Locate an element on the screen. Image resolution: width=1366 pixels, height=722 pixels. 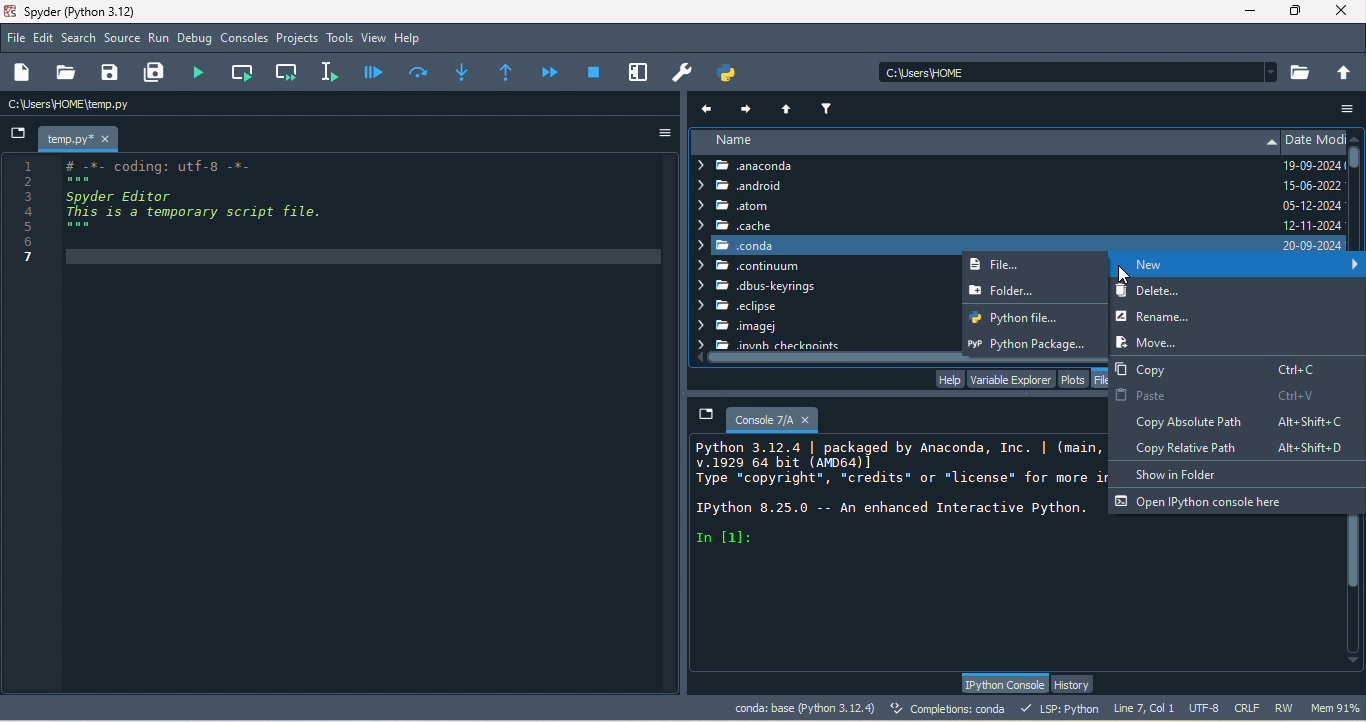
vertical scroll bar is located at coordinates (1357, 173).